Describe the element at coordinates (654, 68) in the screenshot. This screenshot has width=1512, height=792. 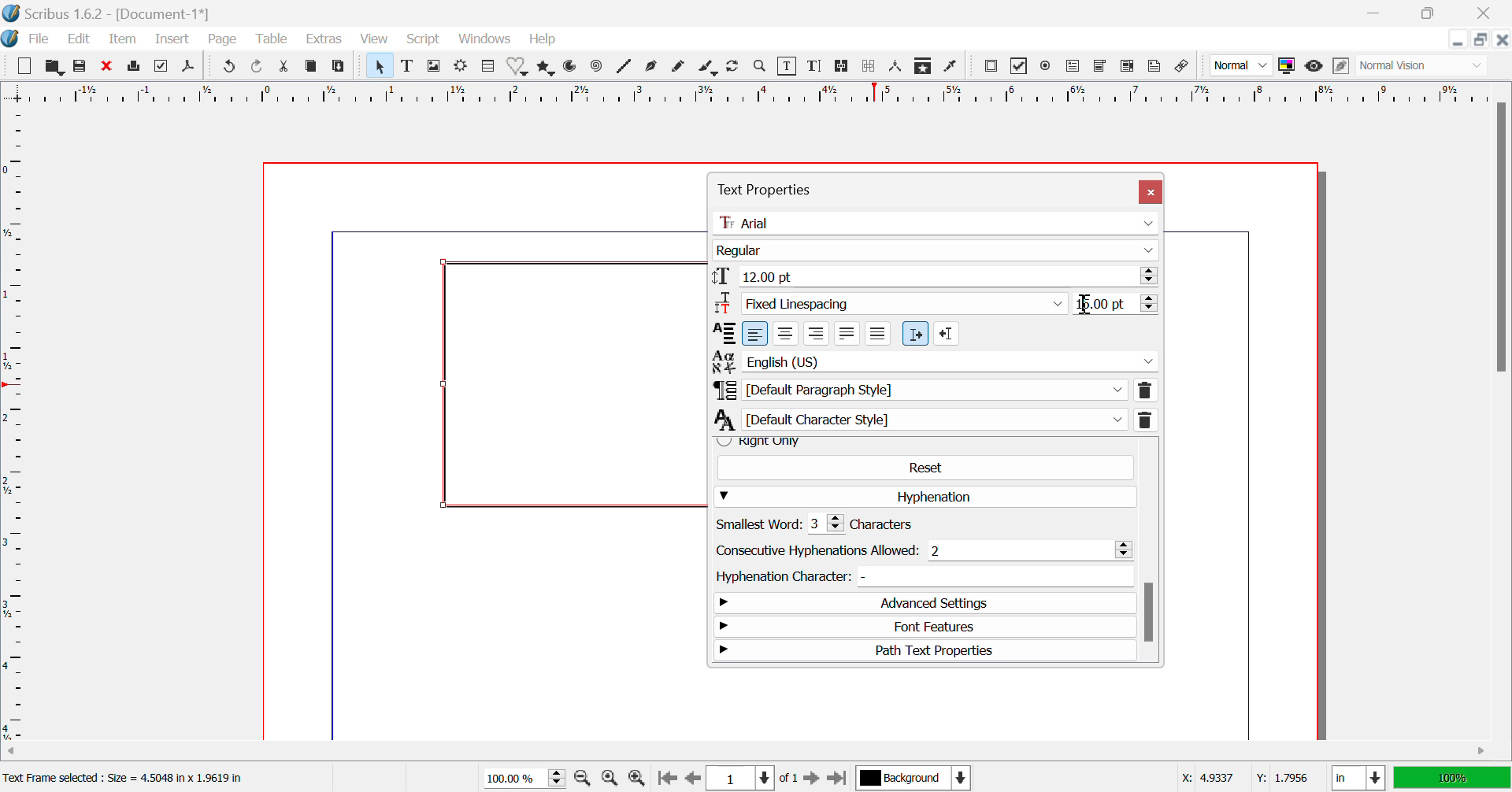
I see `Bezier Curve` at that location.